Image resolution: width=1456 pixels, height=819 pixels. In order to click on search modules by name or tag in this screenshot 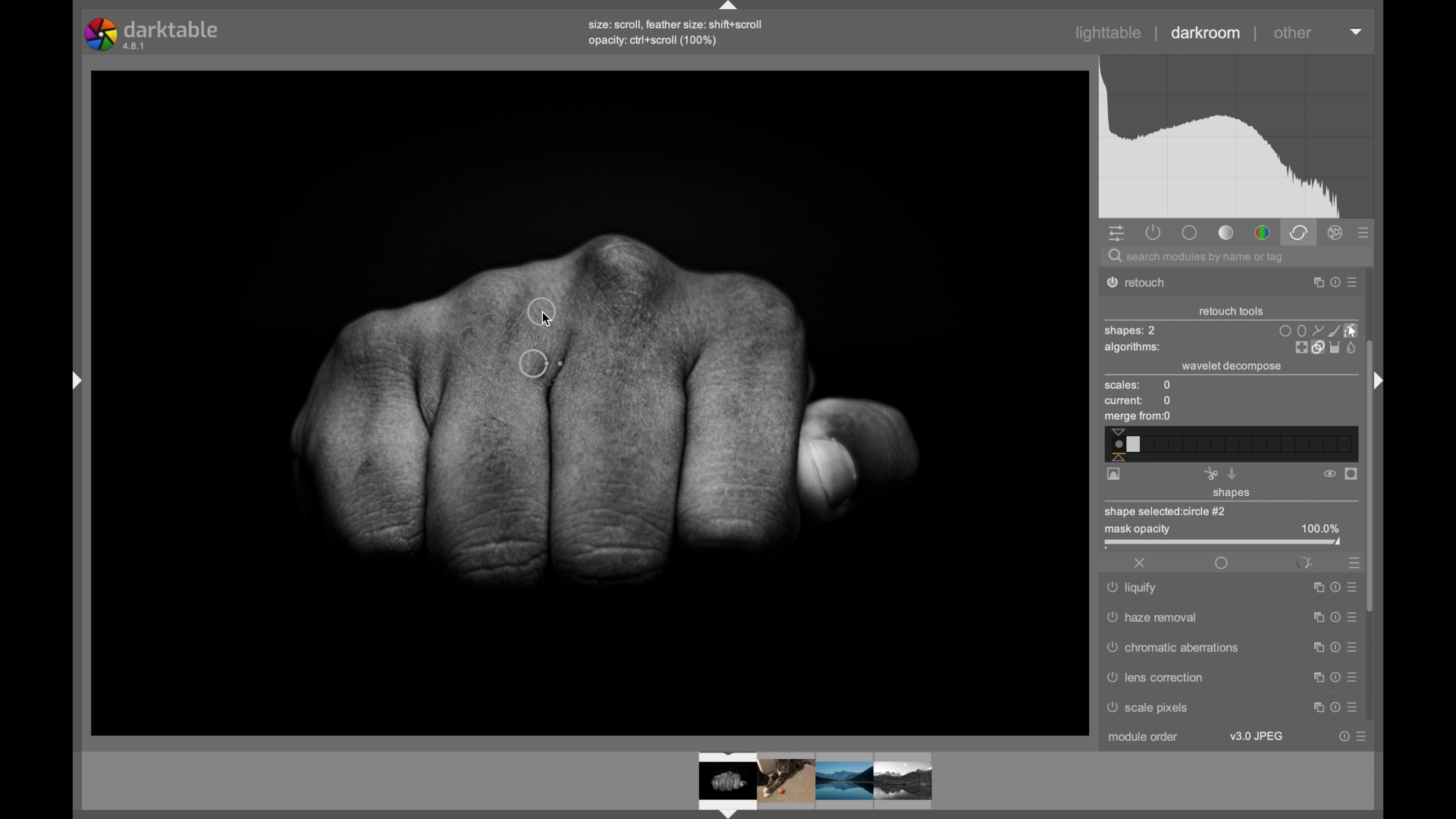, I will do `click(1197, 258)`.